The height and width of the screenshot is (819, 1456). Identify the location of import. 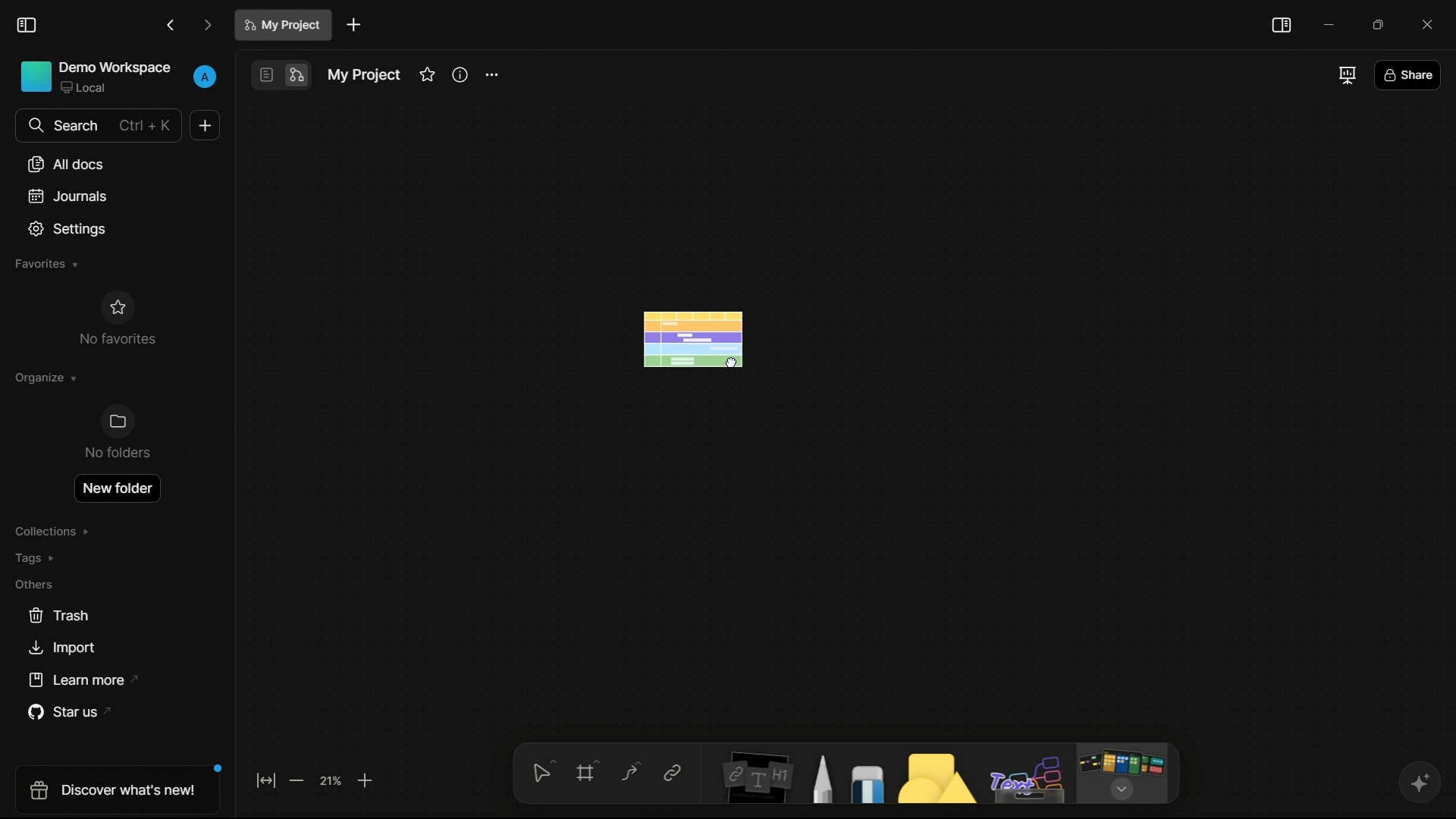
(64, 650).